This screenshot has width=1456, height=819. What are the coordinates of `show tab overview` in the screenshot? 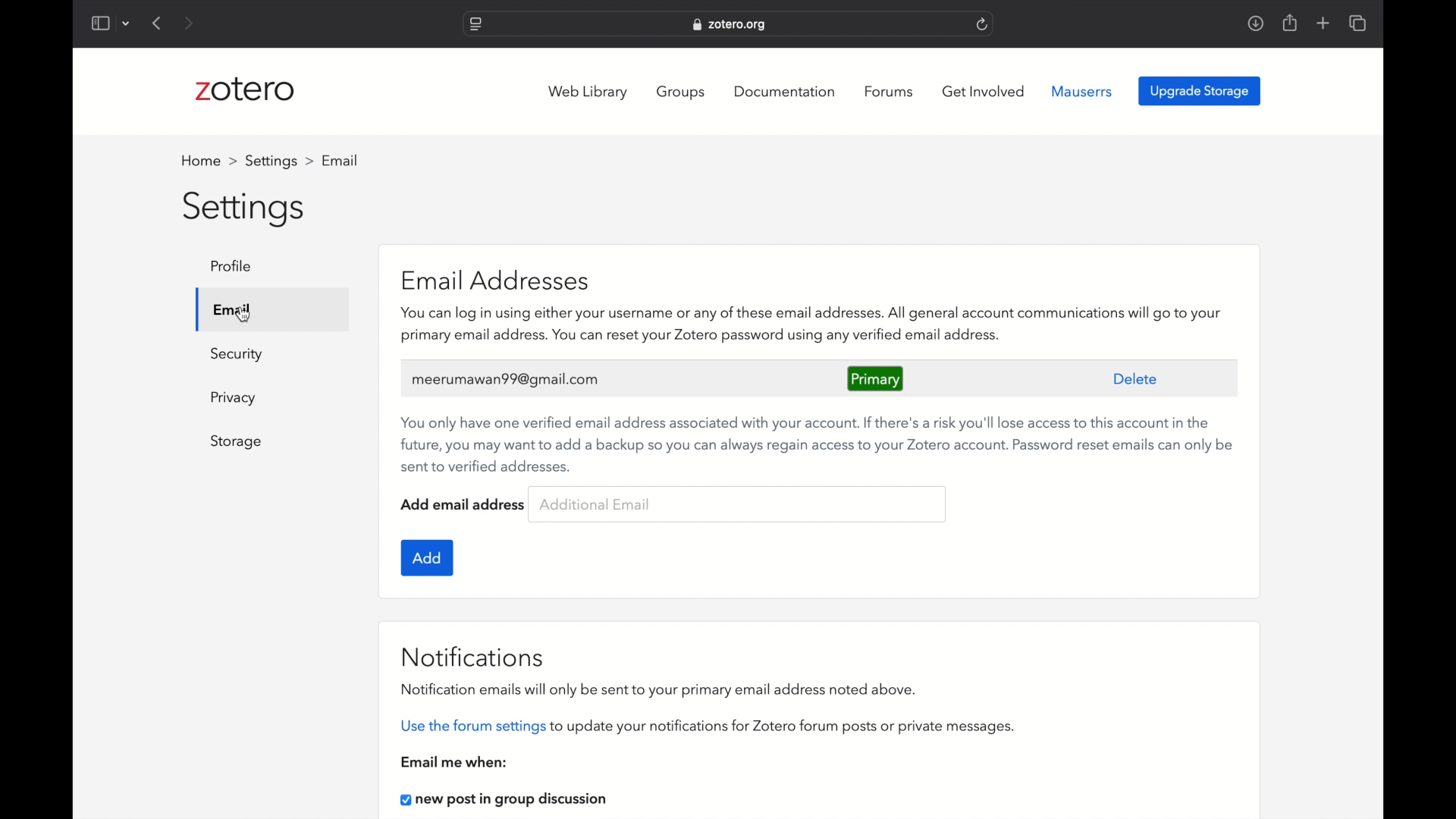 It's located at (1359, 24).